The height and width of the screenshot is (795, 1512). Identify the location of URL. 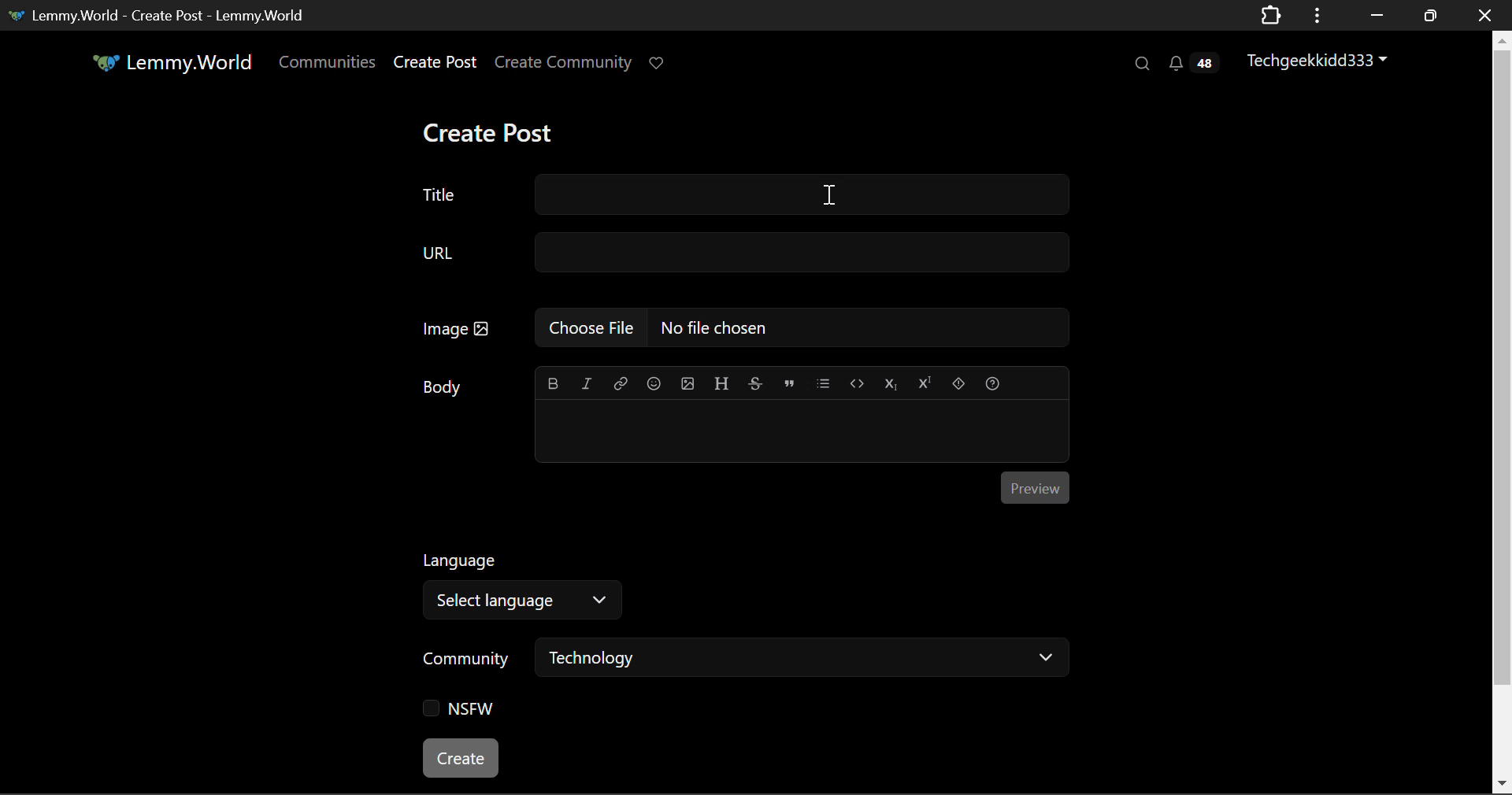
(743, 253).